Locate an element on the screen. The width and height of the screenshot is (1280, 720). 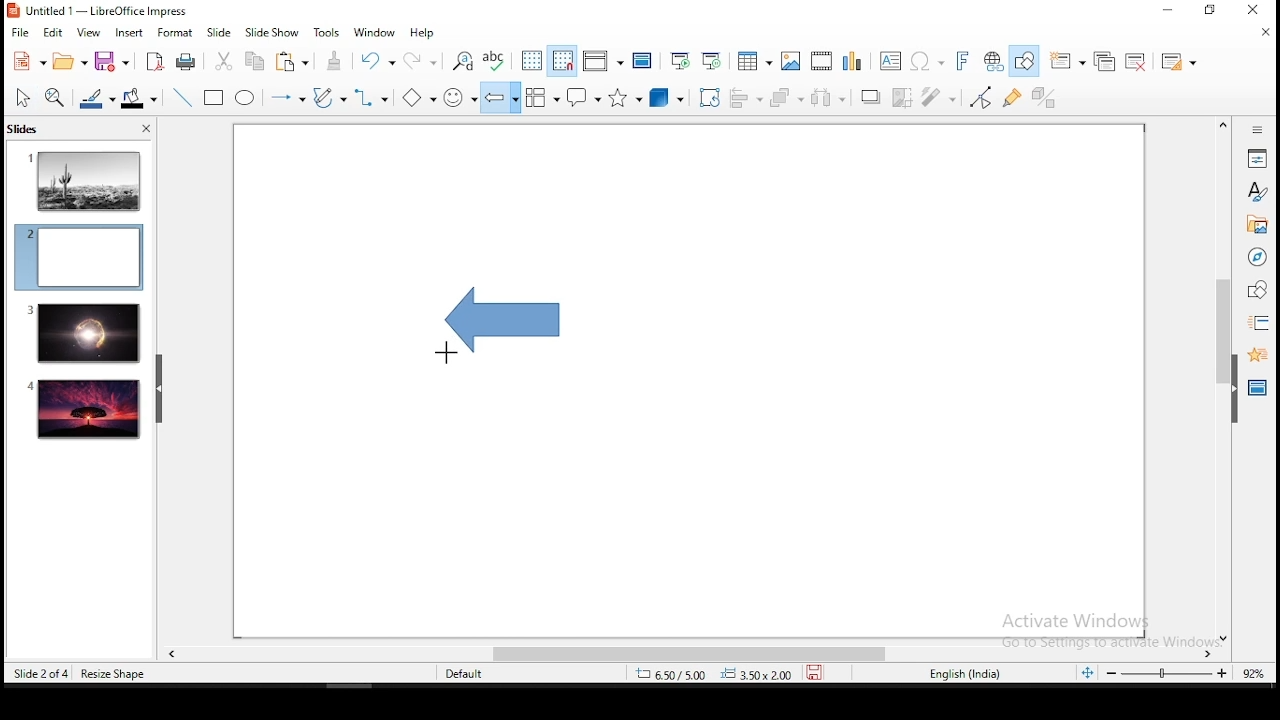
slide 2 of 4 is located at coordinates (41, 674).